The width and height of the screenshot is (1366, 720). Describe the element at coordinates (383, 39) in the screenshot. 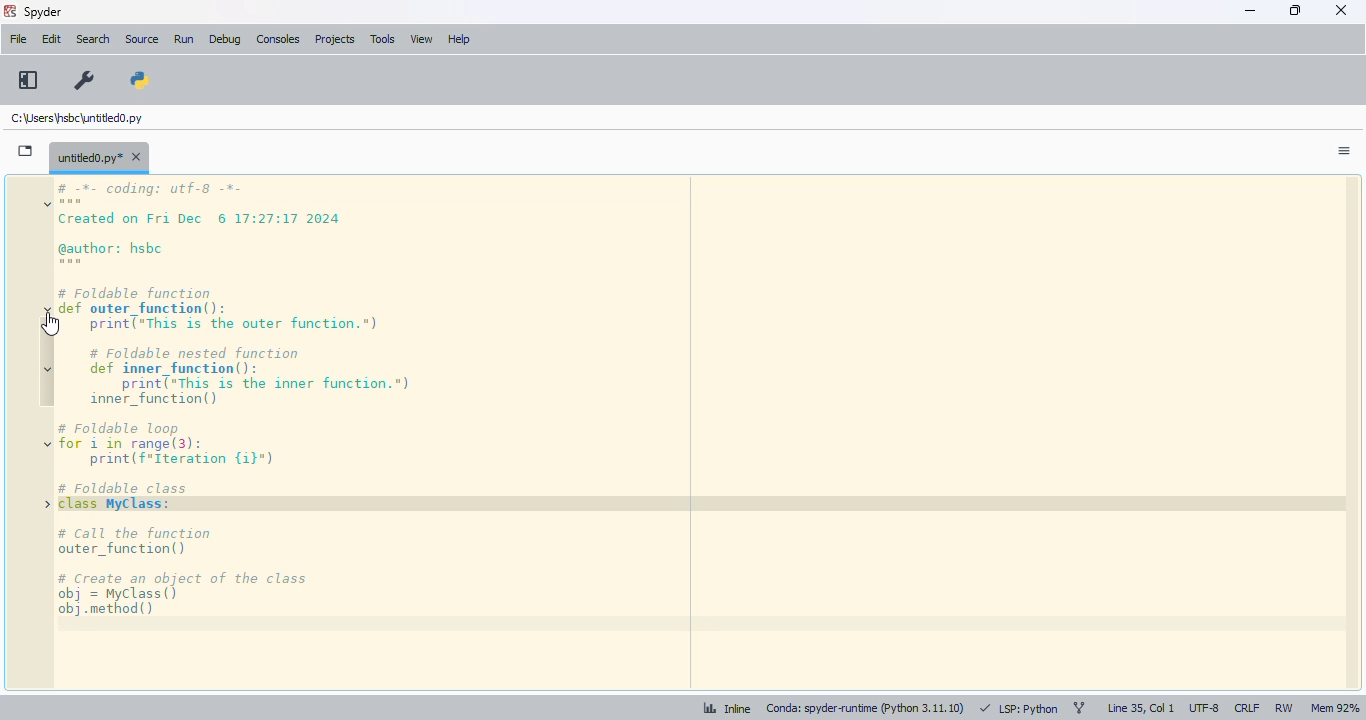

I see `tools` at that location.